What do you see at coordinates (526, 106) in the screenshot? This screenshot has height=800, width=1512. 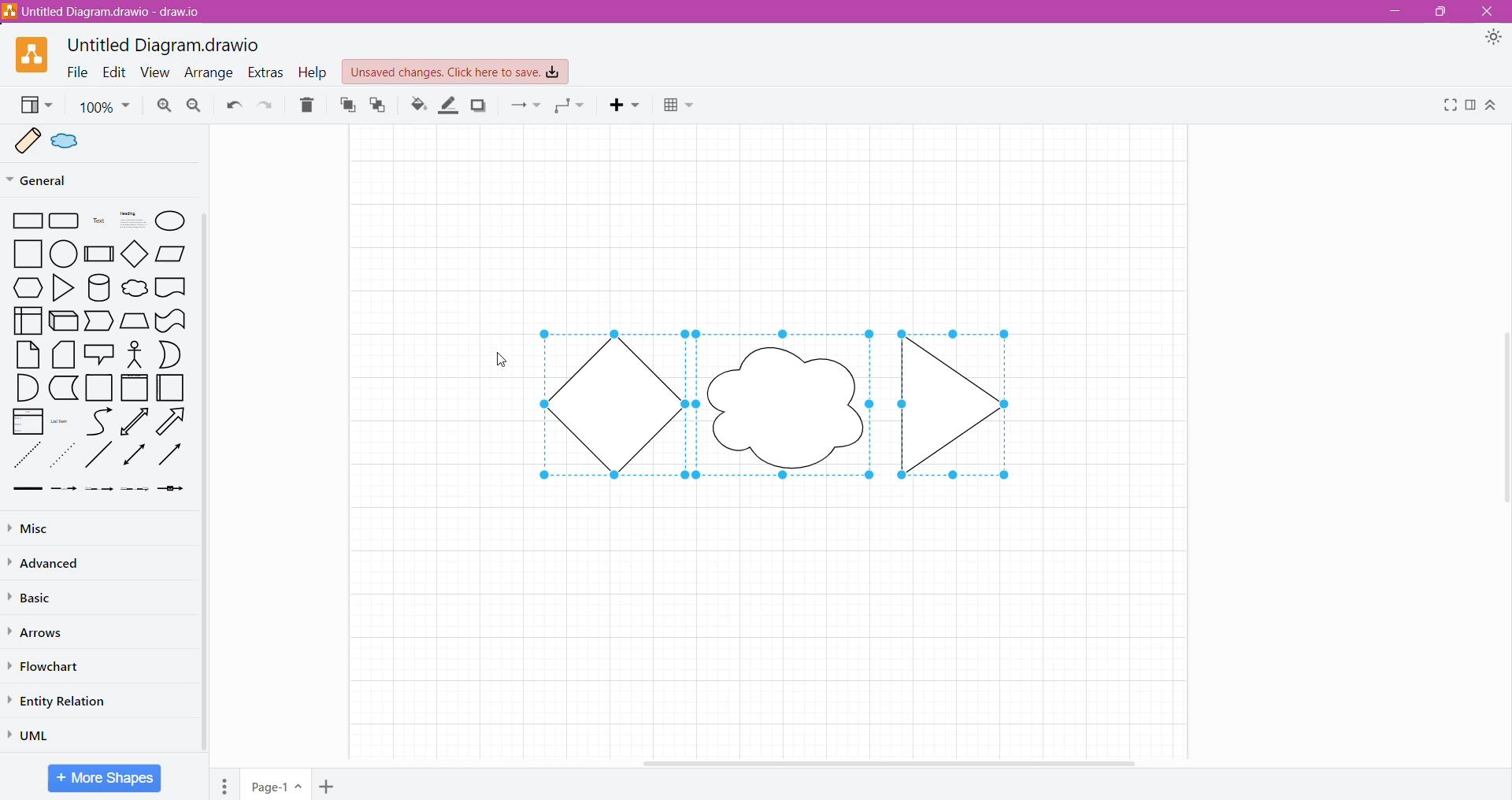 I see `Connections` at bounding box center [526, 106].